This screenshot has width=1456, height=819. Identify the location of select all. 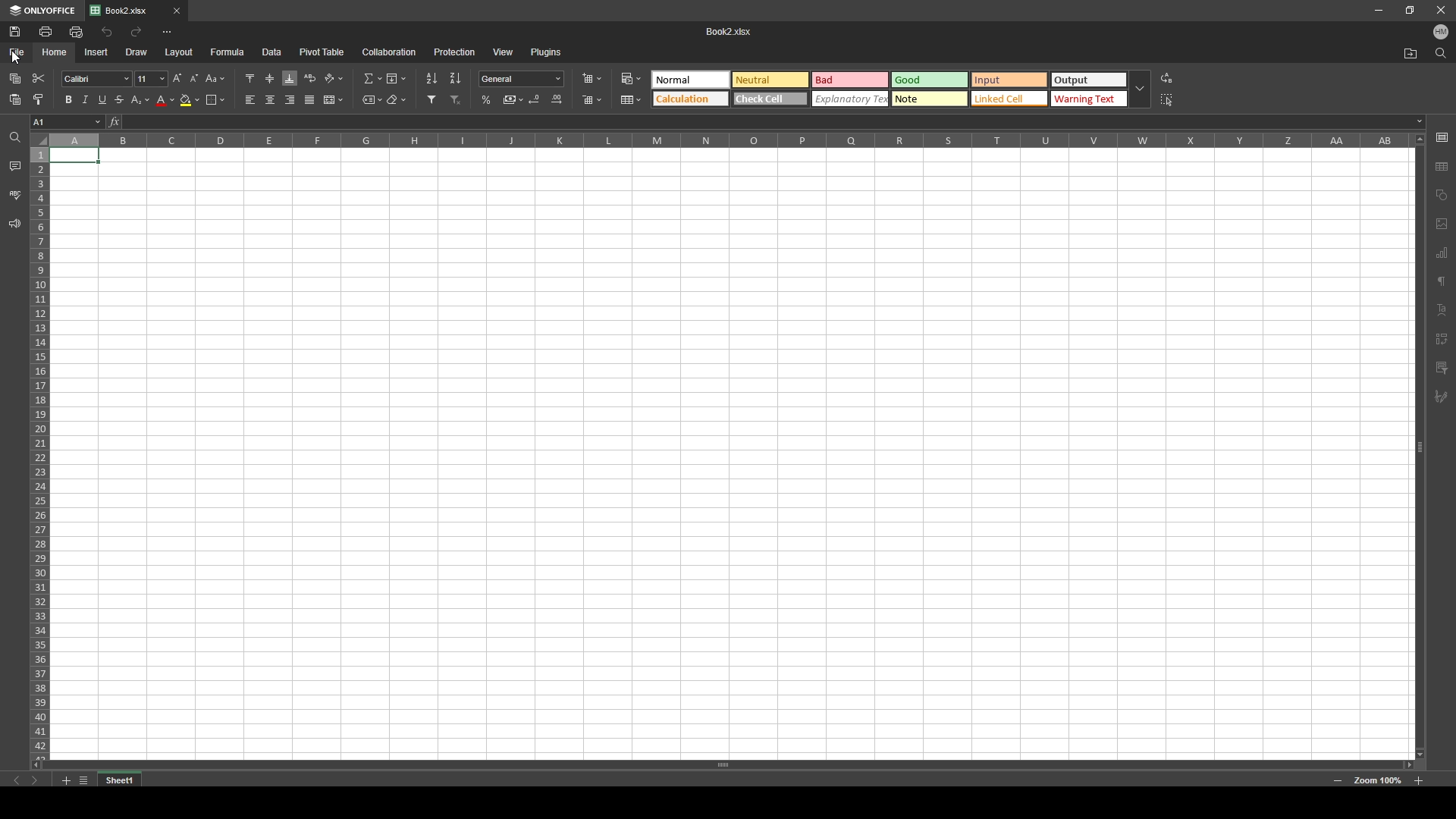
(1169, 99).